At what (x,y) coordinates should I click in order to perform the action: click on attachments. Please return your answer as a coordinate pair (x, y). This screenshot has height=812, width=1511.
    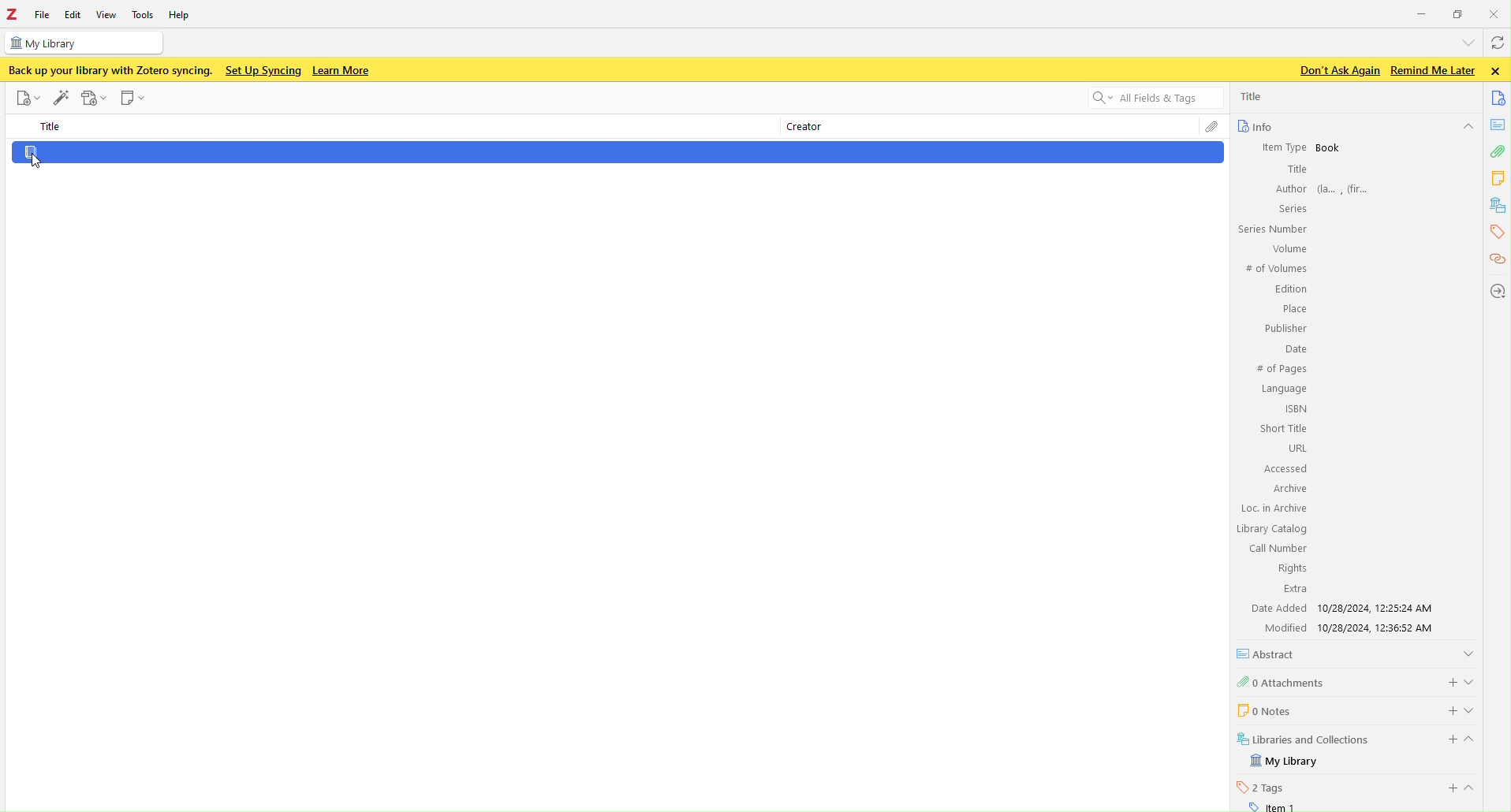
    Looking at the image, I should click on (1364, 683).